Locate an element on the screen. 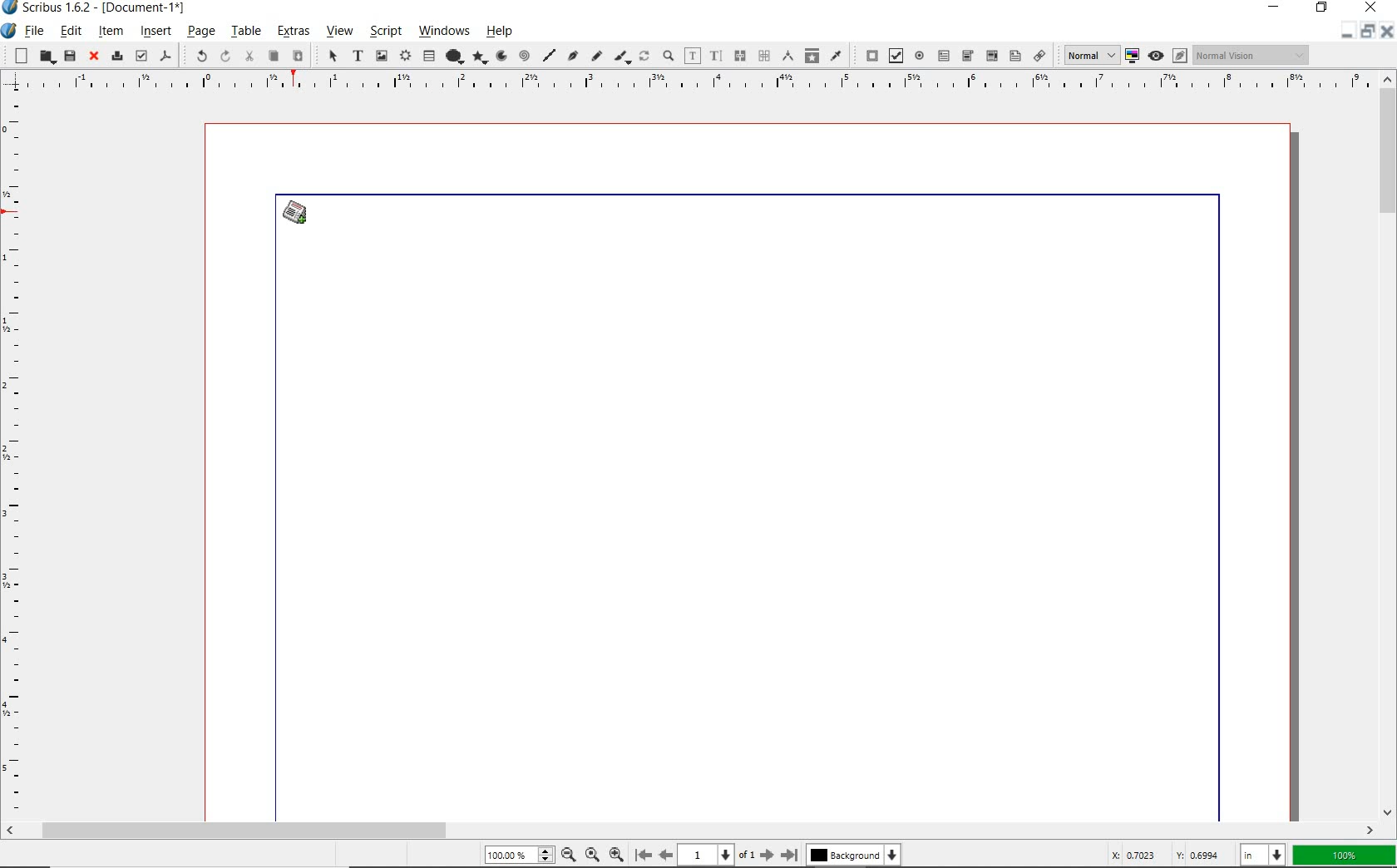 This screenshot has height=868, width=1397. 1 of 1 is located at coordinates (717, 856).